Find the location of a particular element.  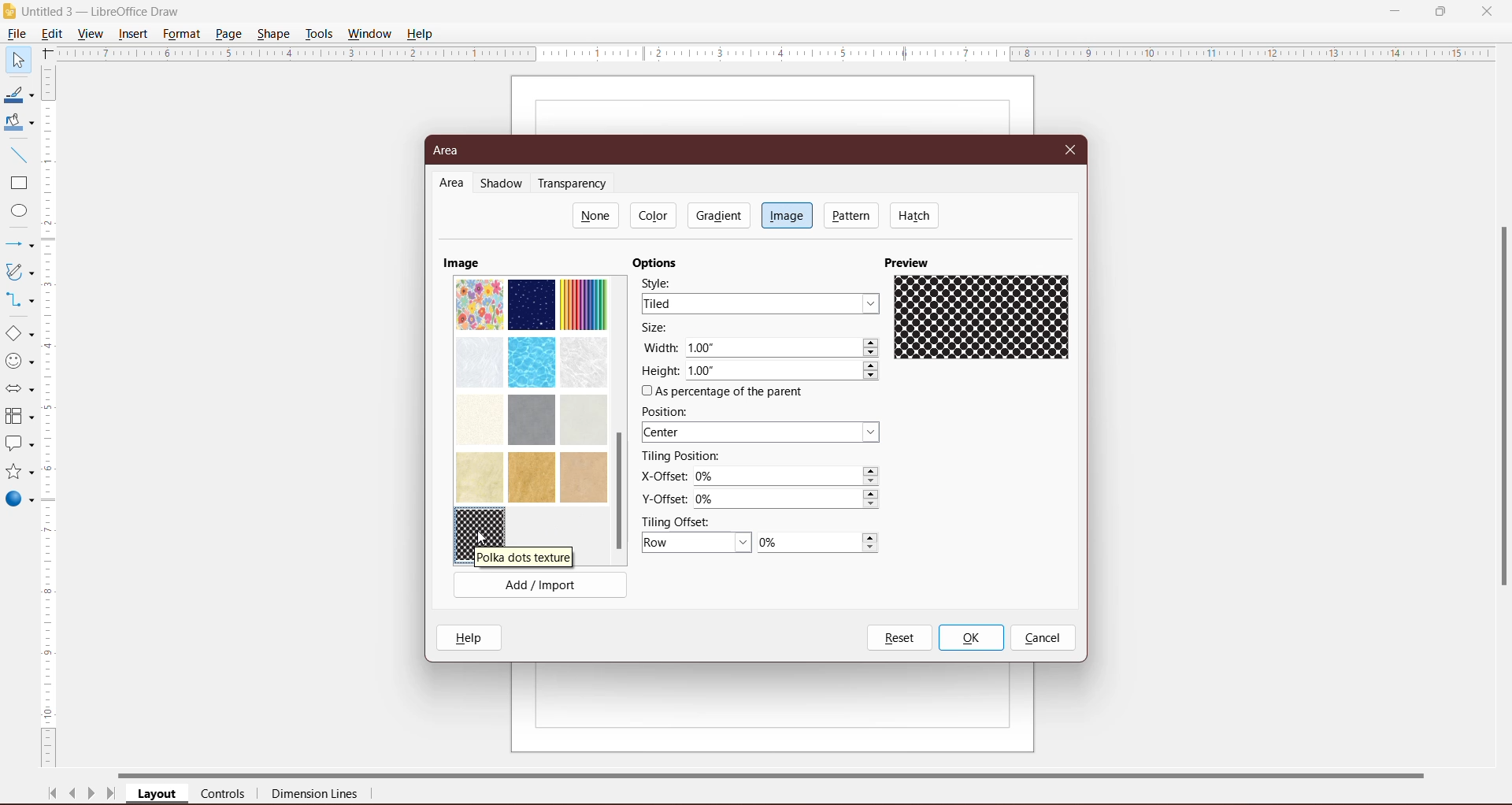

Ellipse is located at coordinates (15, 213).